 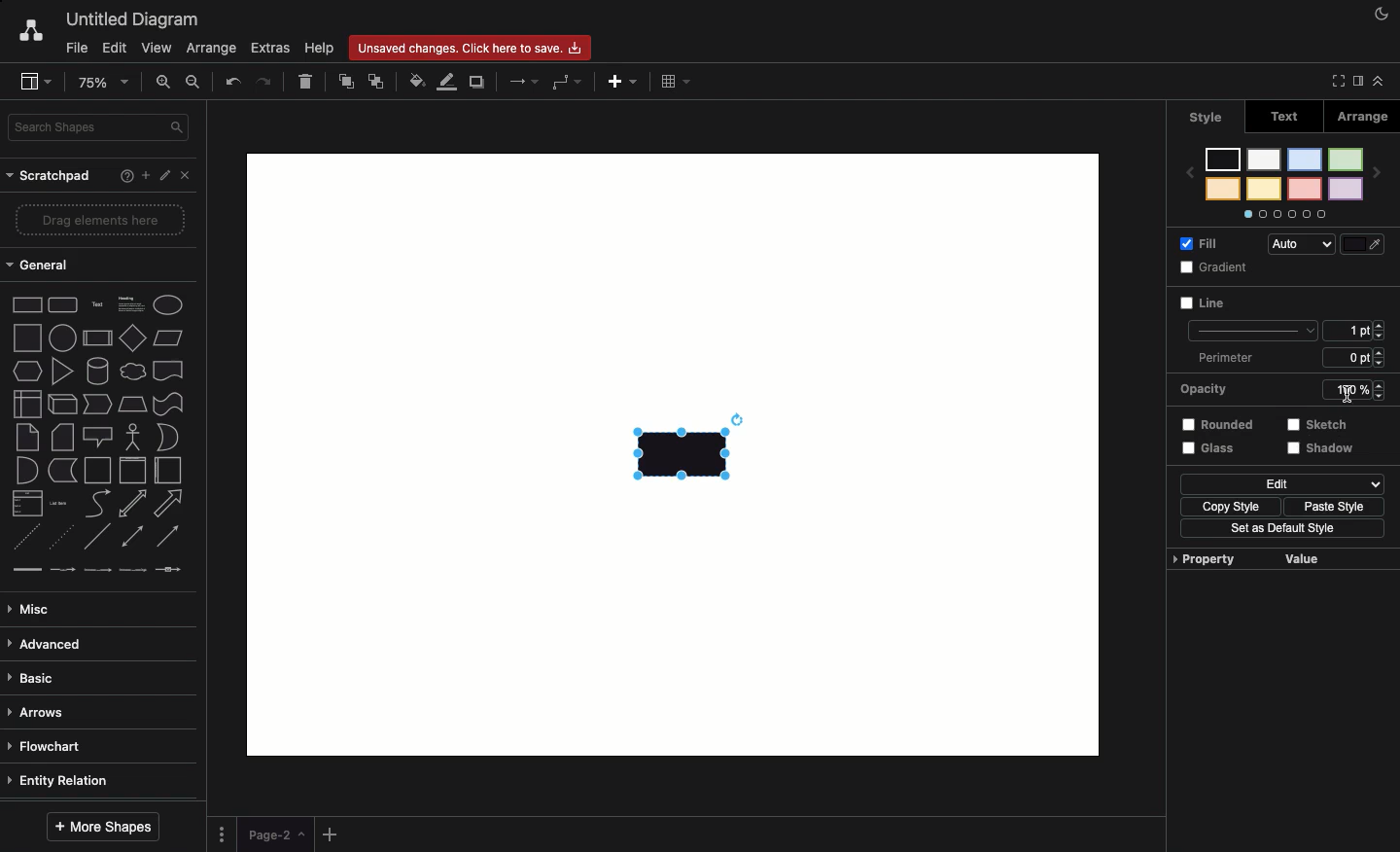 What do you see at coordinates (102, 83) in the screenshot?
I see `Zoom` at bounding box center [102, 83].